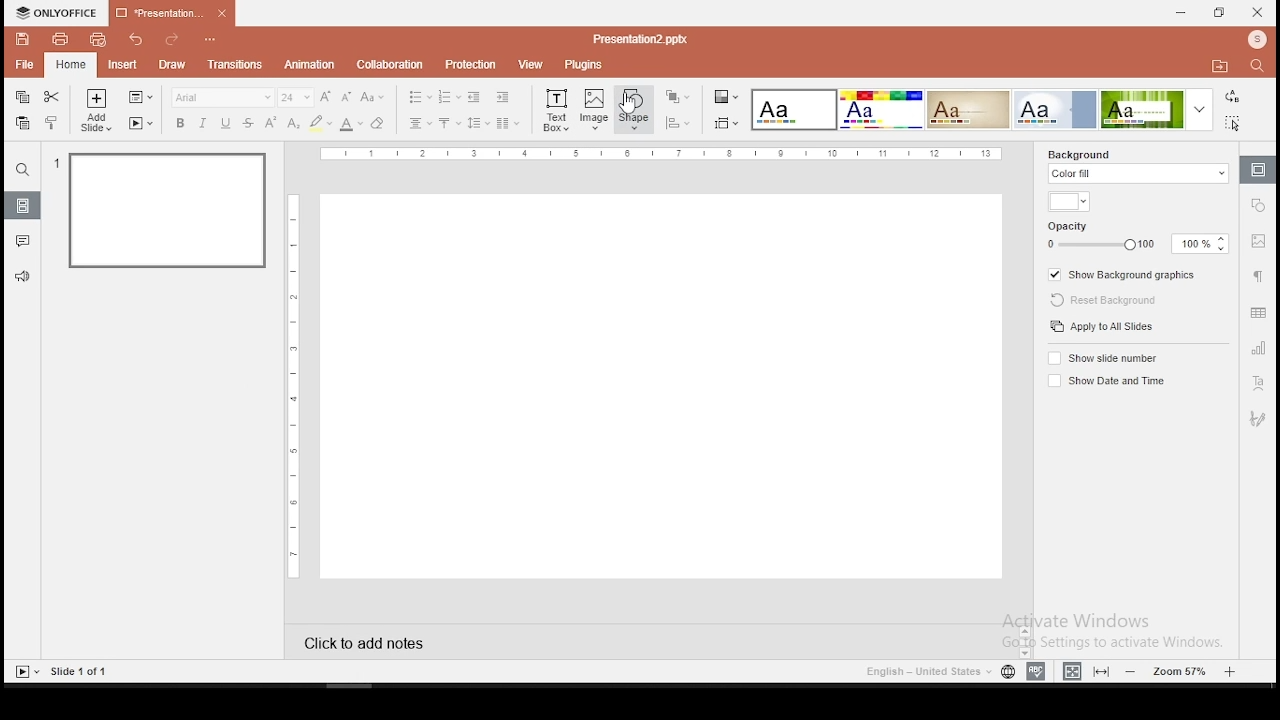 This screenshot has height=720, width=1280. What do you see at coordinates (1230, 669) in the screenshot?
I see `zoom in` at bounding box center [1230, 669].